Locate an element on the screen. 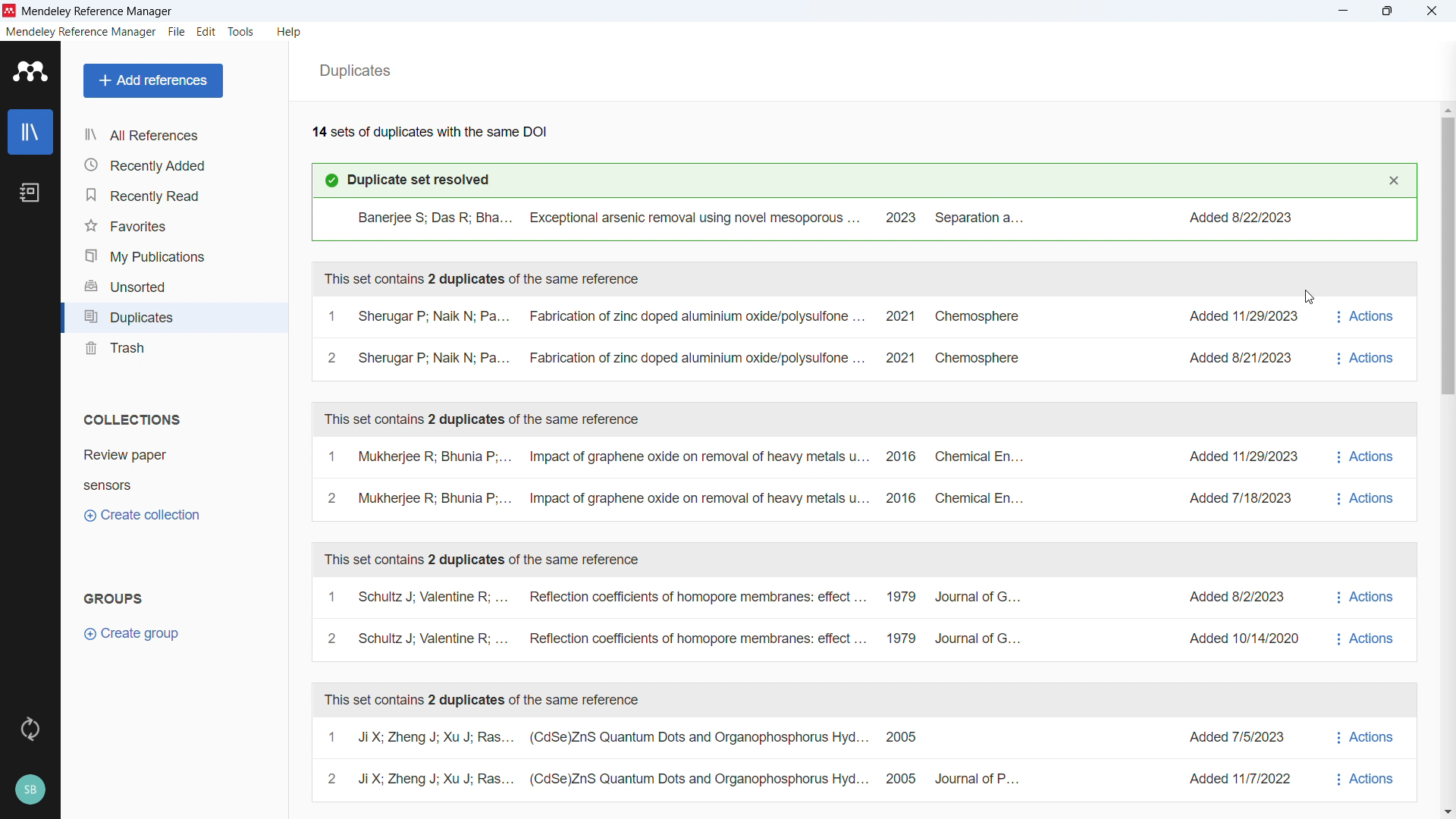 This screenshot has height=819, width=1456. logo is located at coordinates (30, 71).